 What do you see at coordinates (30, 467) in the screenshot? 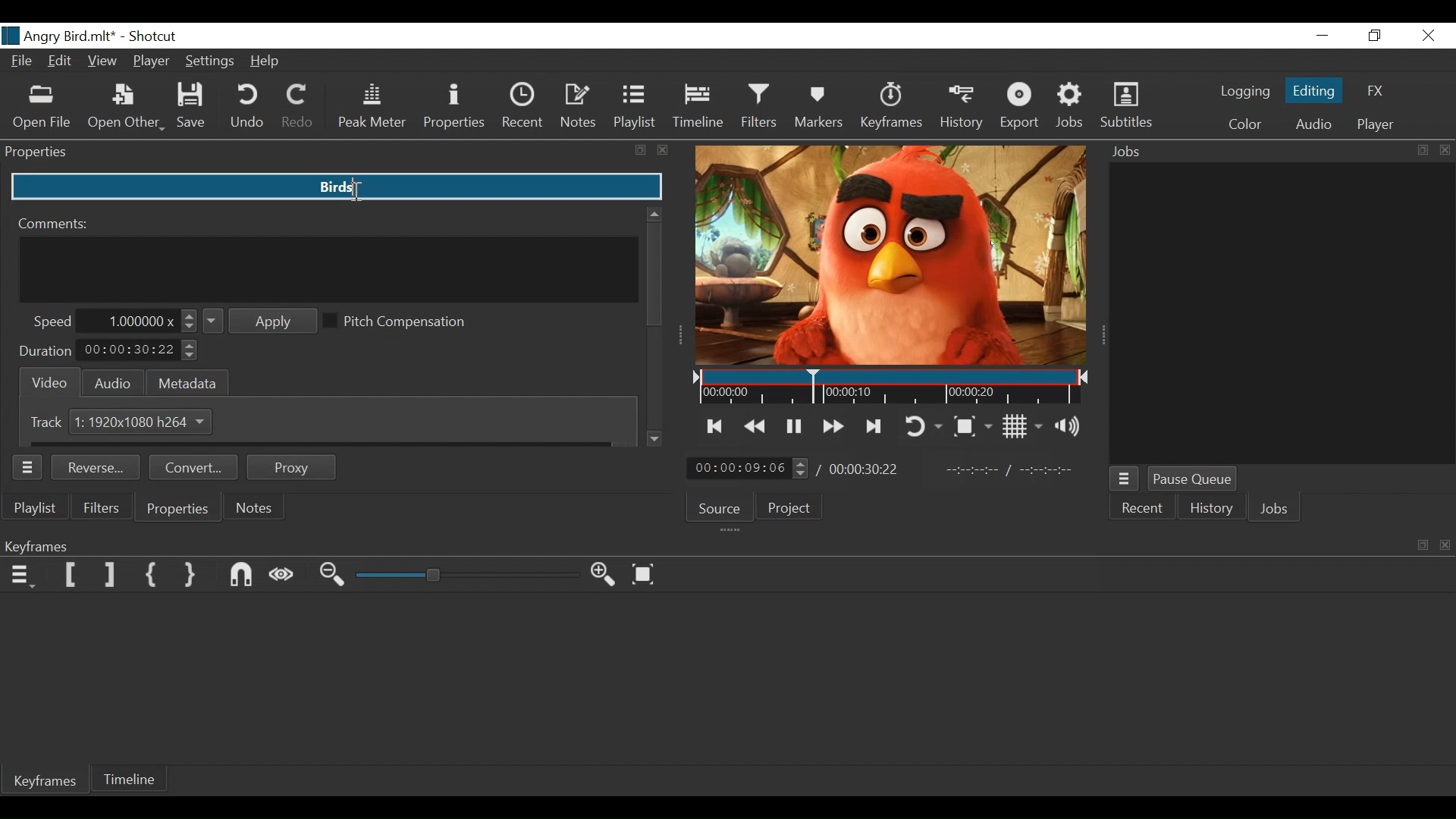
I see `Properties menu` at bounding box center [30, 467].